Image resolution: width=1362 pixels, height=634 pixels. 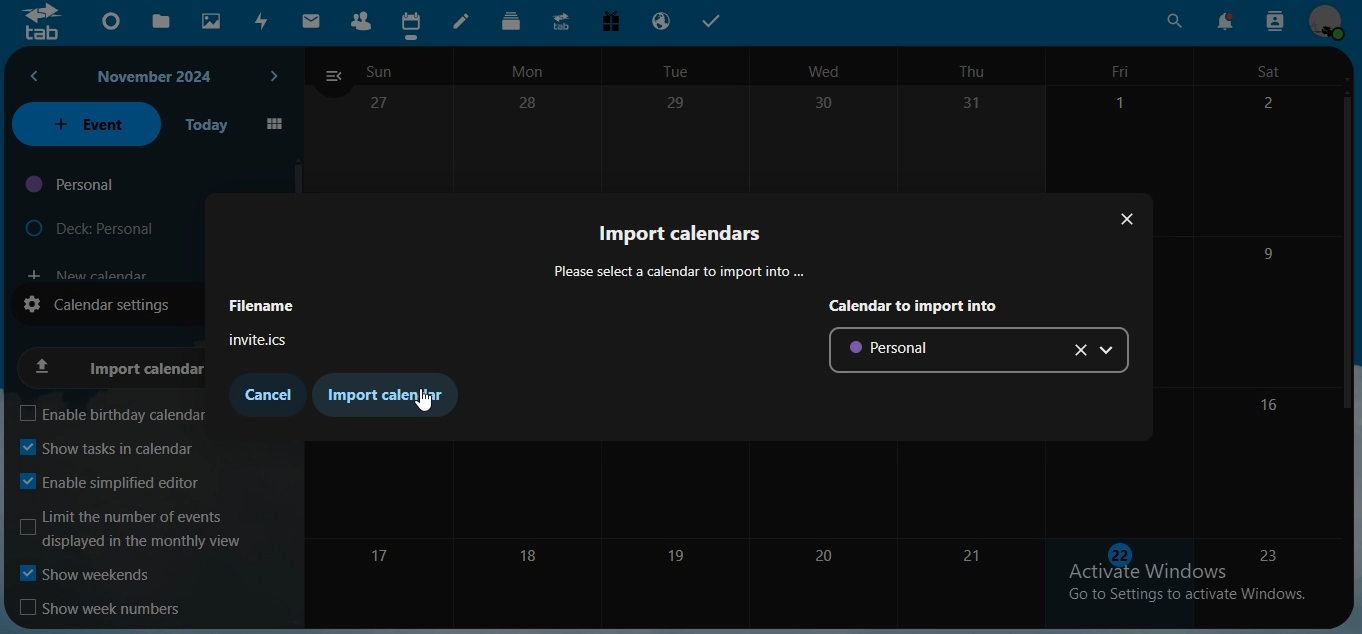 What do you see at coordinates (1174, 21) in the screenshot?
I see `search` at bounding box center [1174, 21].